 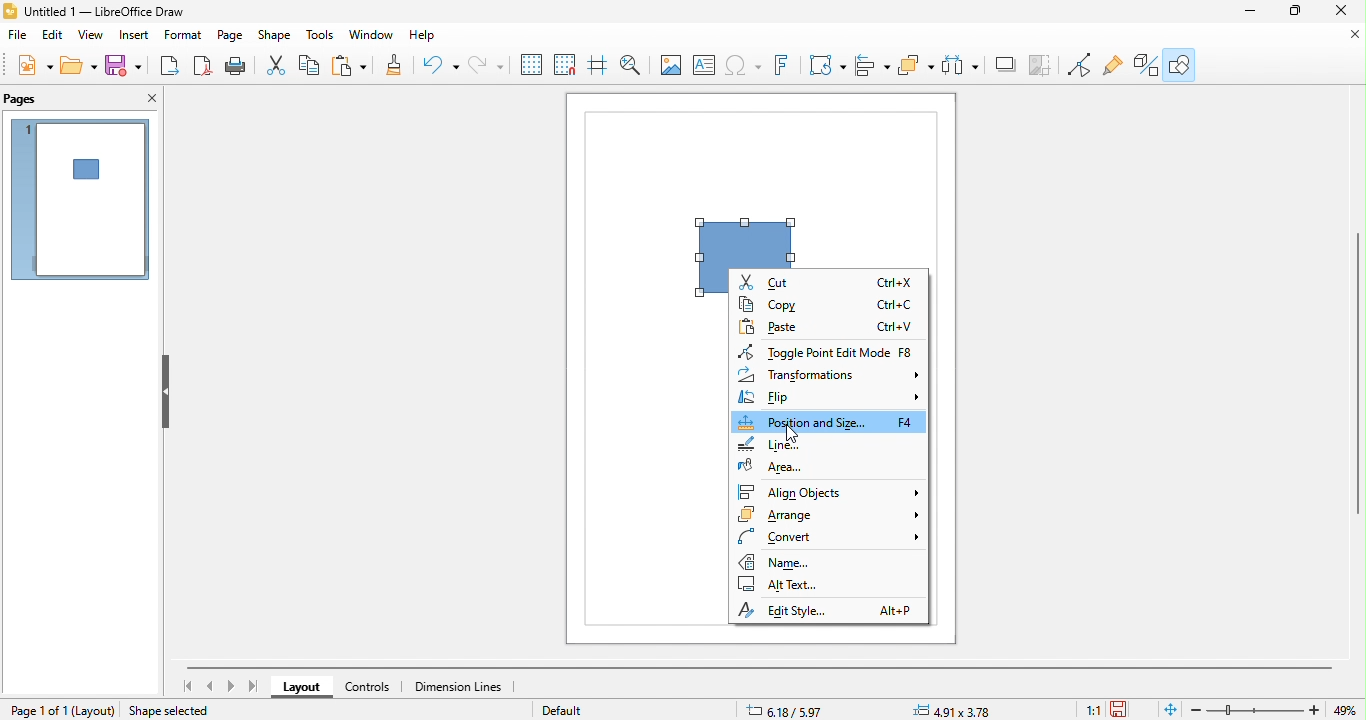 I want to click on next page, so click(x=231, y=686).